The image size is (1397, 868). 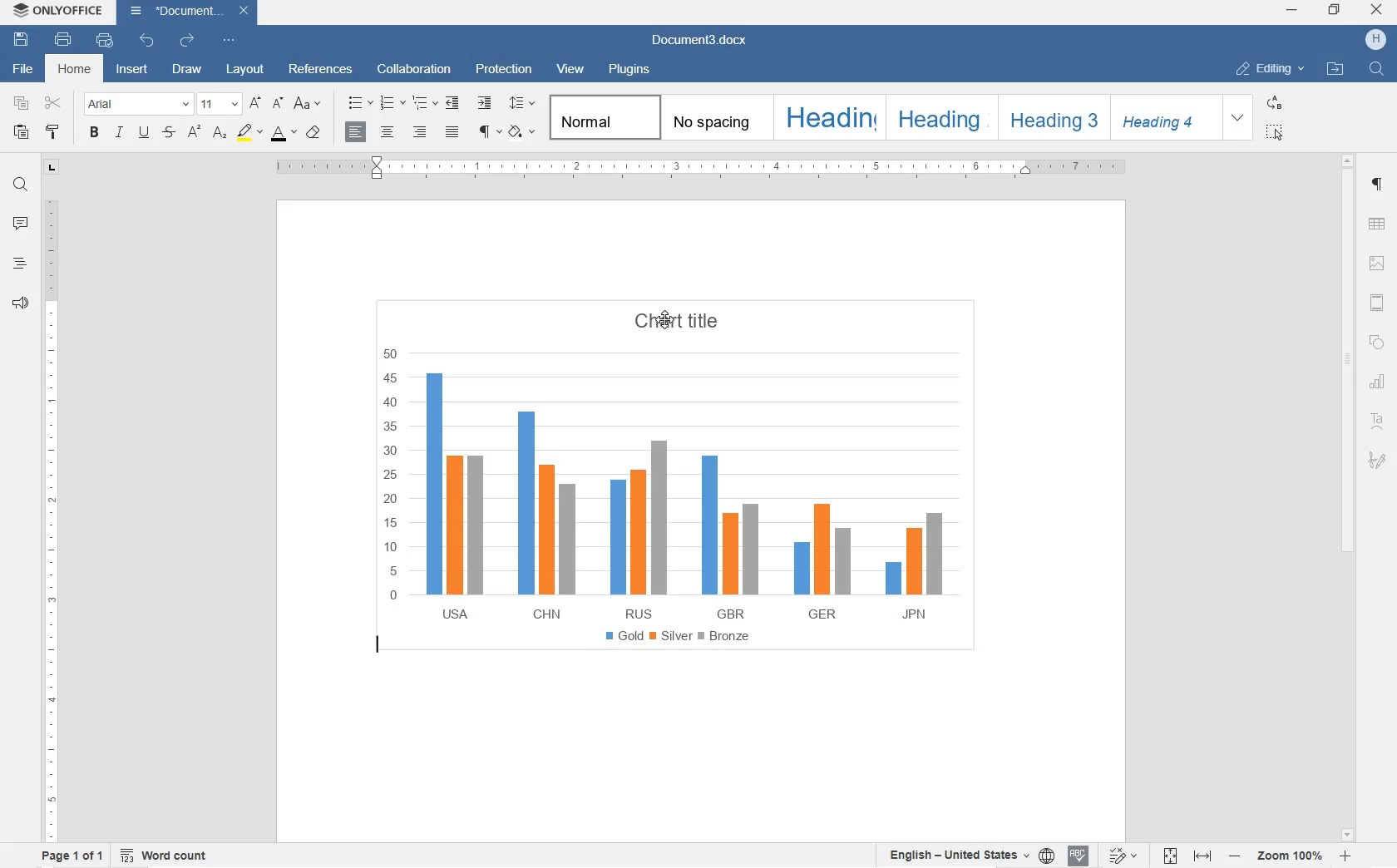 What do you see at coordinates (170, 134) in the screenshot?
I see `STRIKETHROUGH` at bounding box center [170, 134].